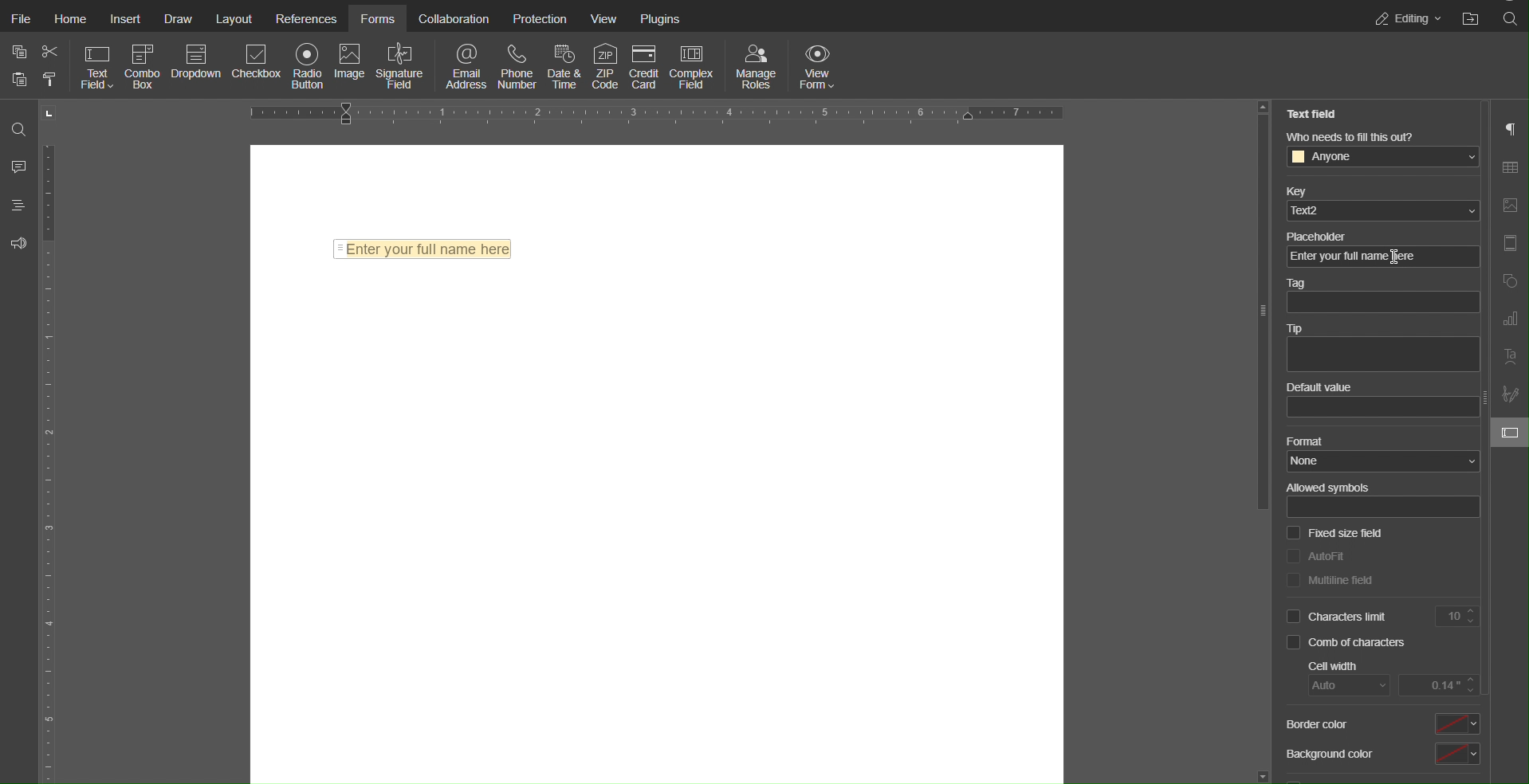 This screenshot has height=784, width=1529. Describe the element at coordinates (1382, 724) in the screenshot. I see `Border color` at that location.